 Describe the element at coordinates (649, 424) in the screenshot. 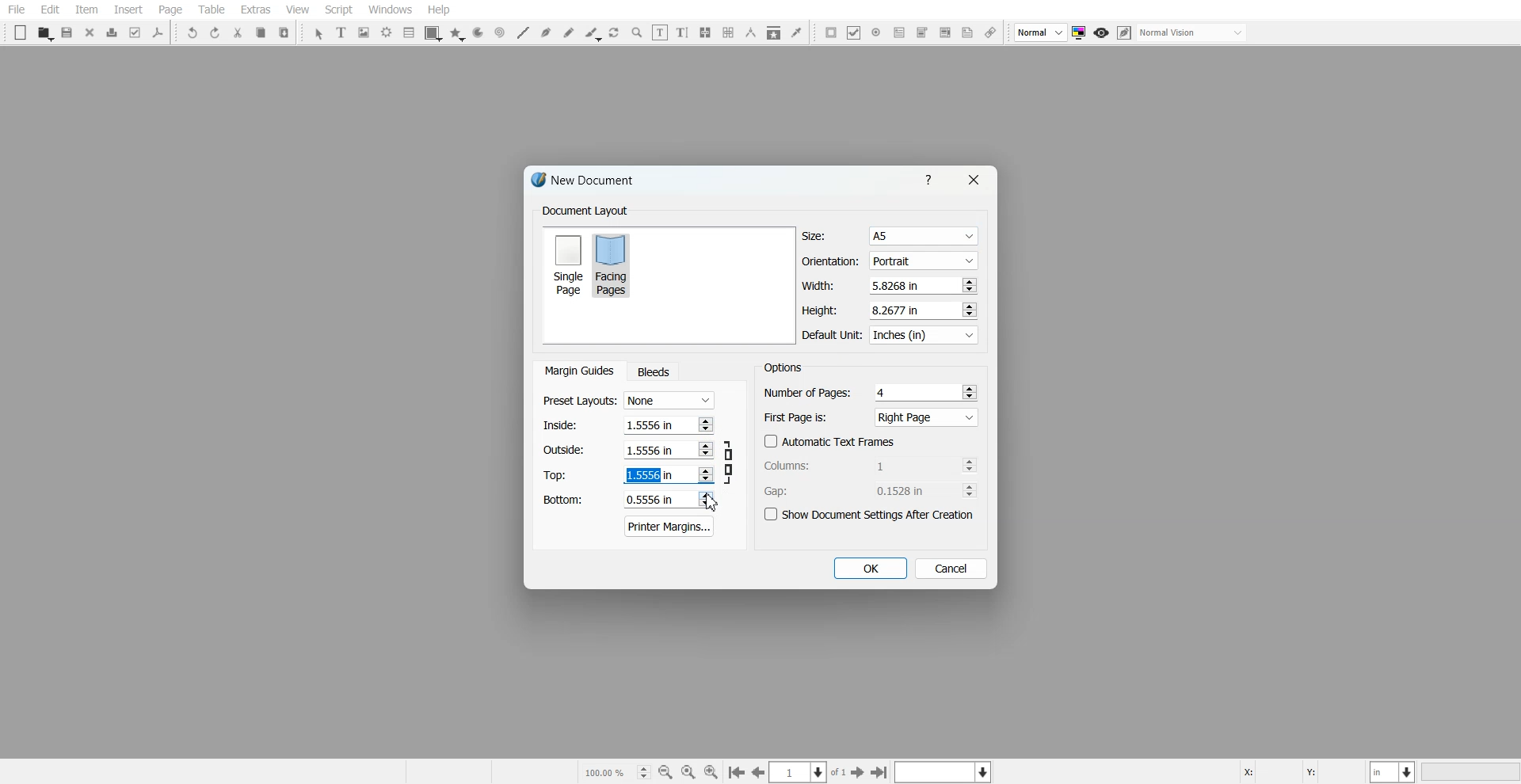

I see `1.5556 in` at that location.